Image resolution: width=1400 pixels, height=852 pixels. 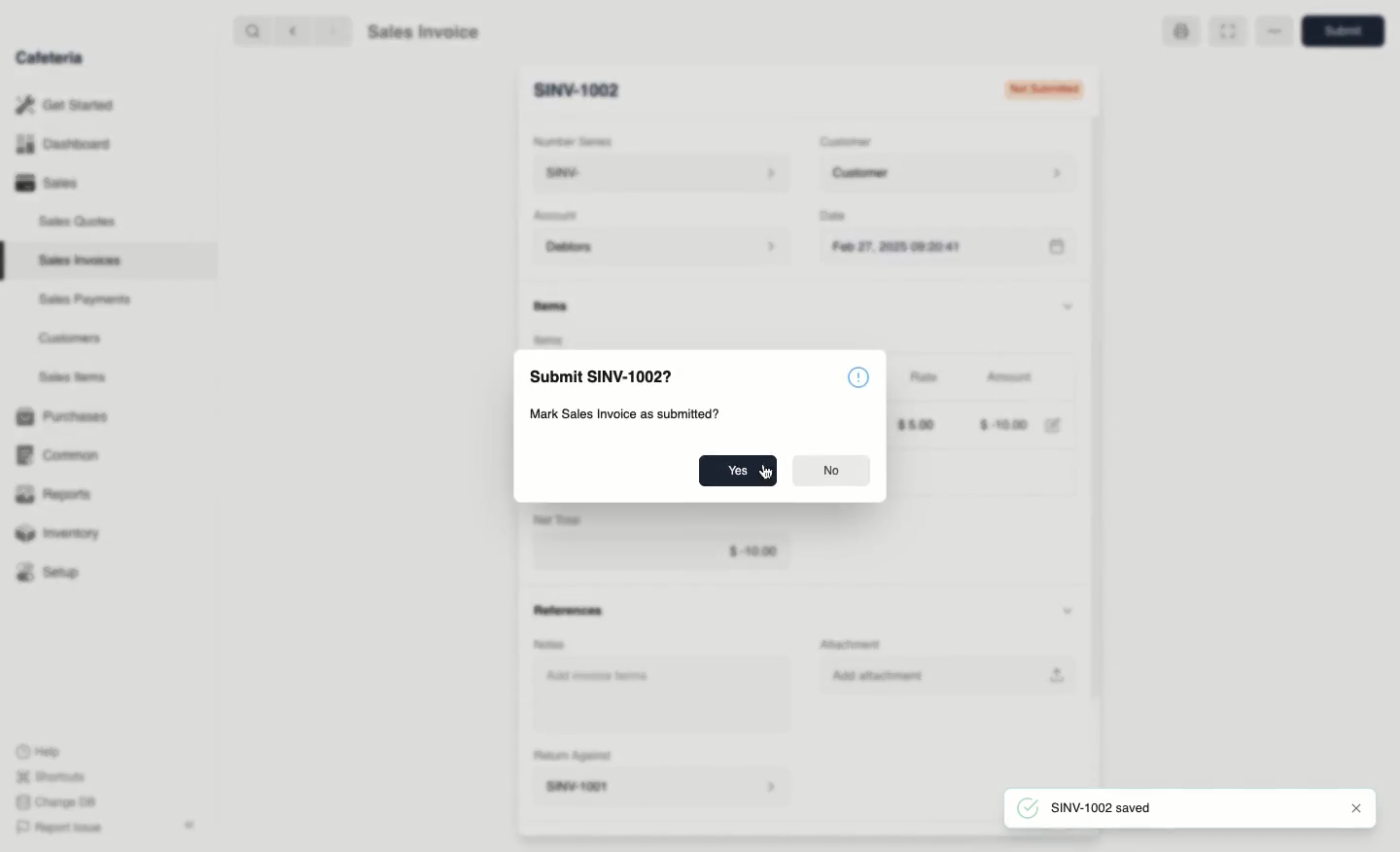 What do you see at coordinates (51, 572) in the screenshot?
I see `Setup` at bounding box center [51, 572].